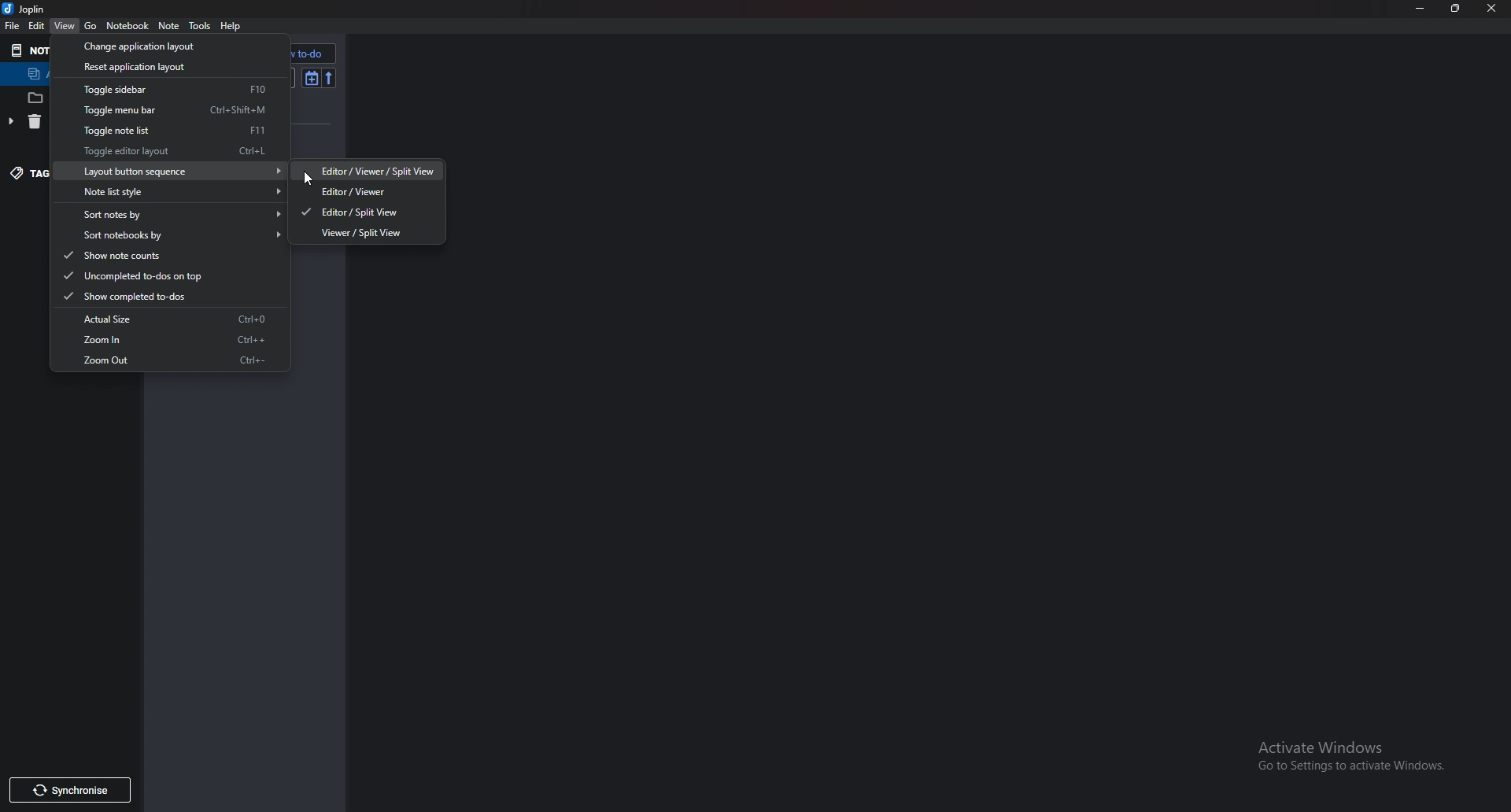  Describe the element at coordinates (171, 151) in the screenshot. I see `toggle editor layout` at that location.